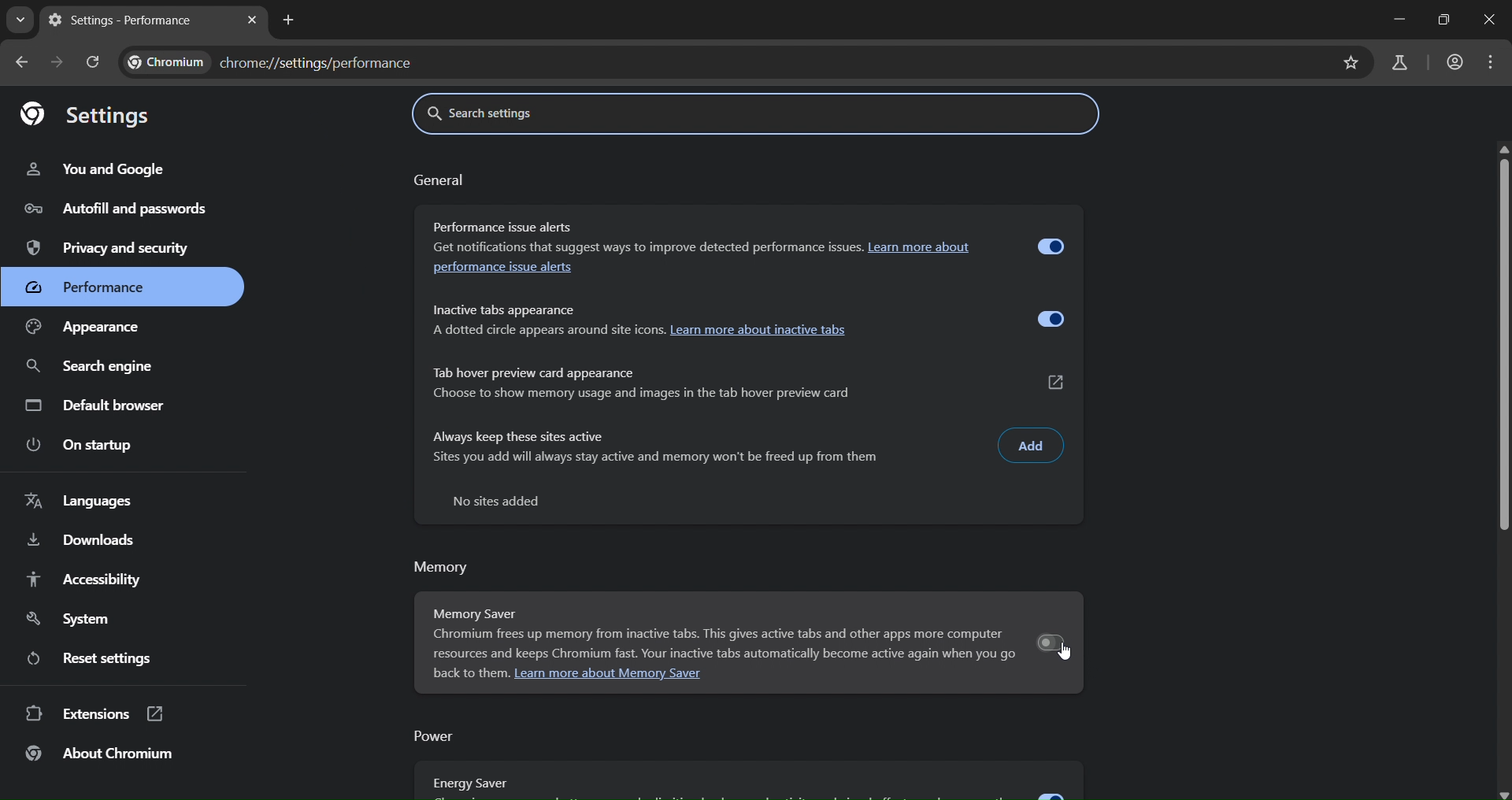 The height and width of the screenshot is (800, 1512). What do you see at coordinates (920, 249) in the screenshot?
I see `Learn more about` at bounding box center [920, 249].